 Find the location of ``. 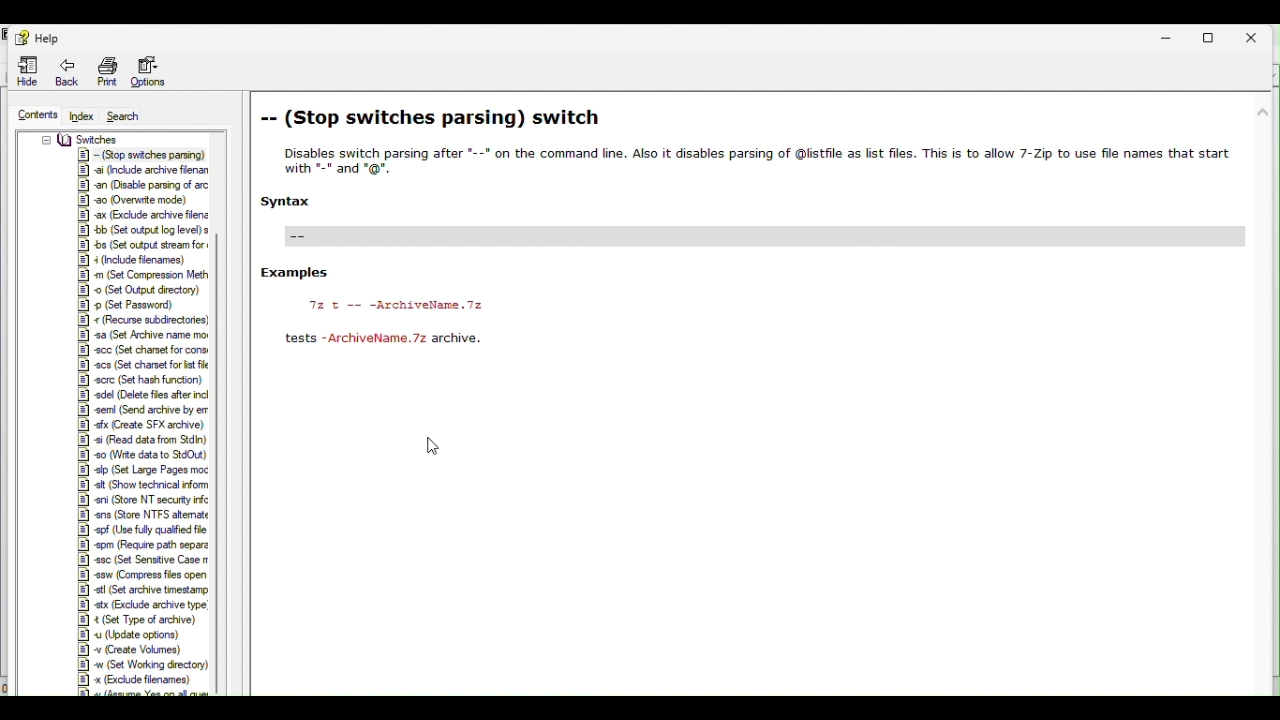

 is located at coordinates (143, 380).